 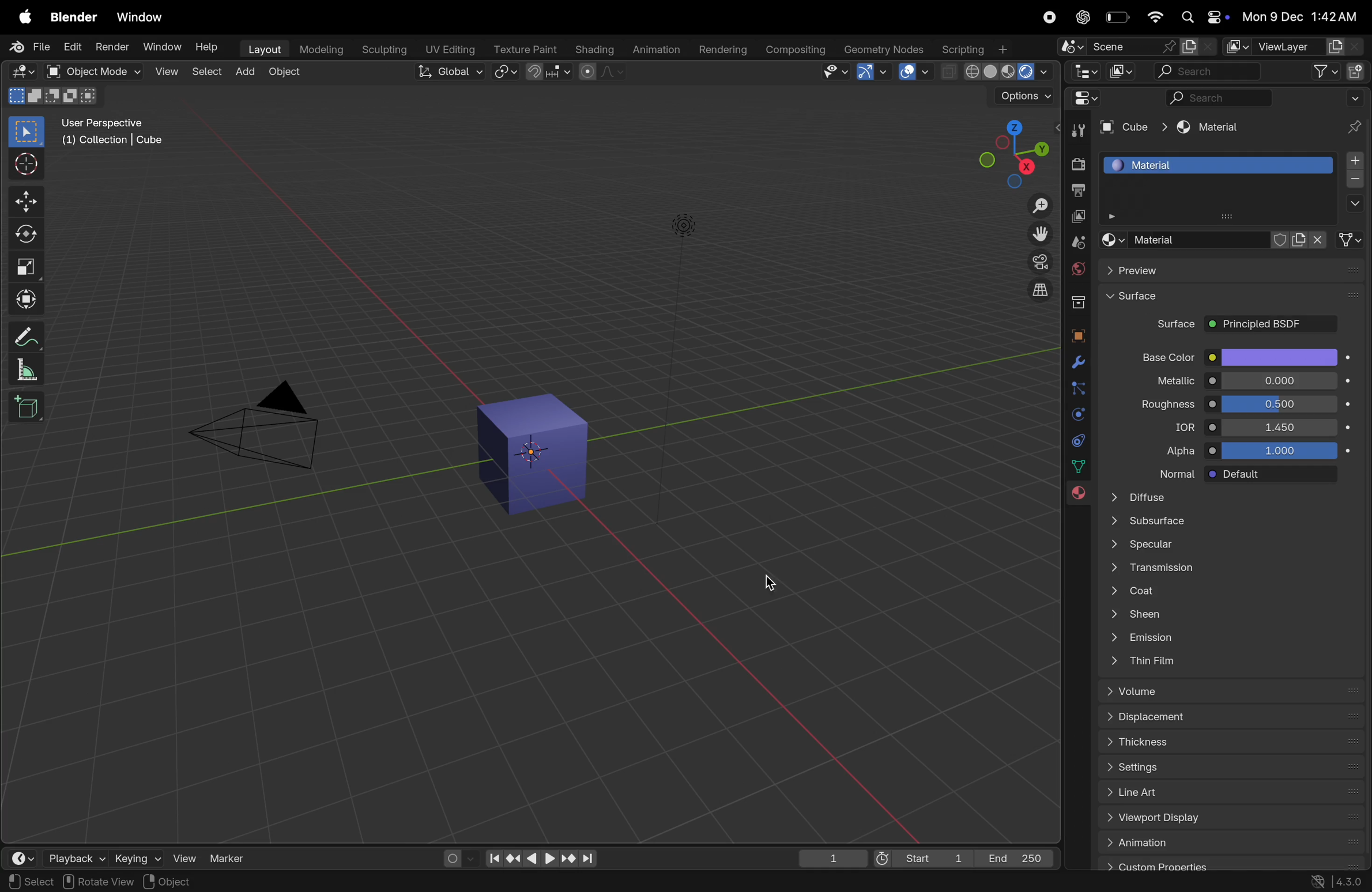 What do you see at coordinates (1212, 97) in the screenshot?
I see `searcg` at bounding box center [1212, 97].